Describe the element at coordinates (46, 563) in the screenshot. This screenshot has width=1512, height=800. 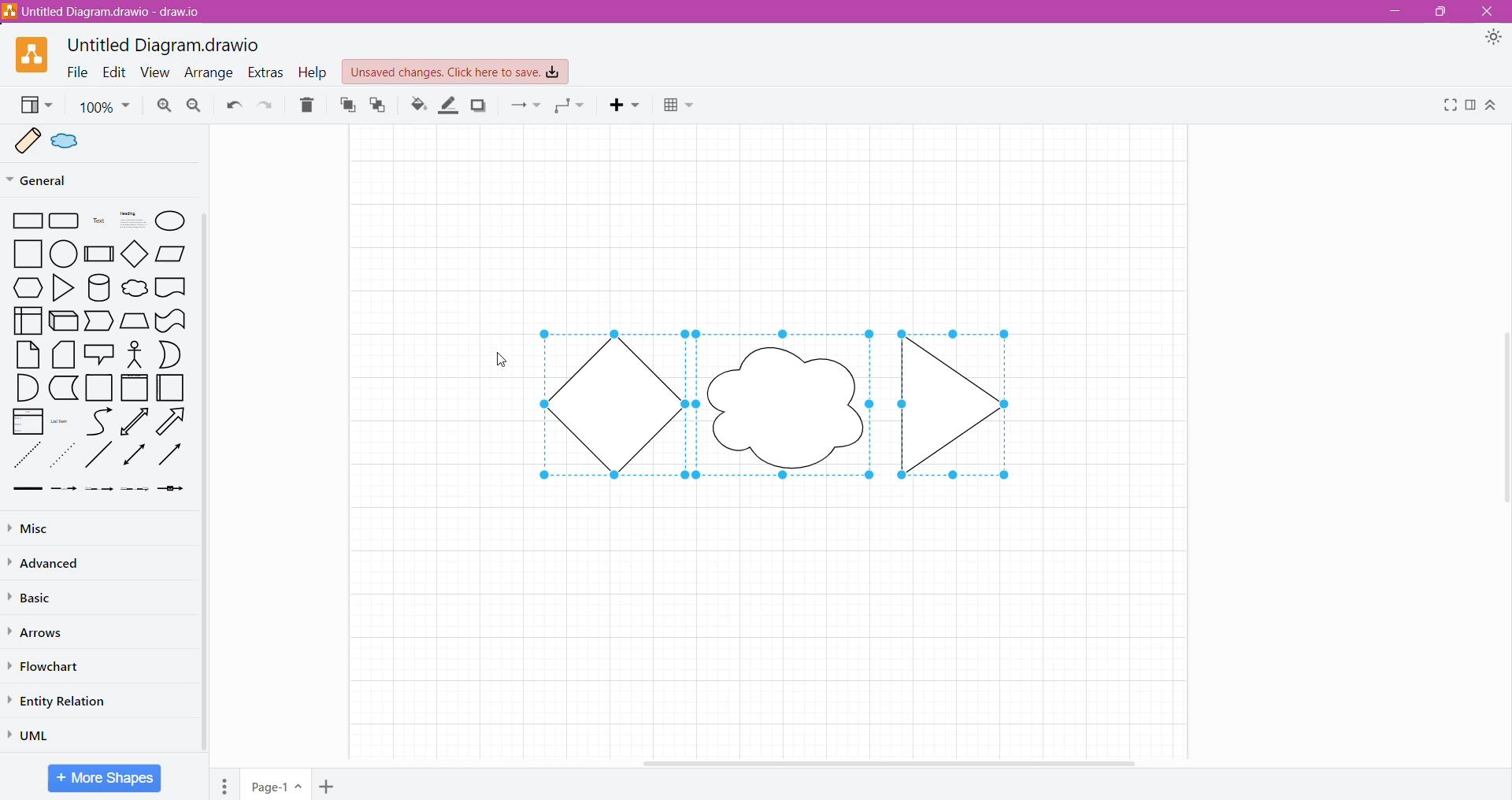
I see `Advanced` at that location.